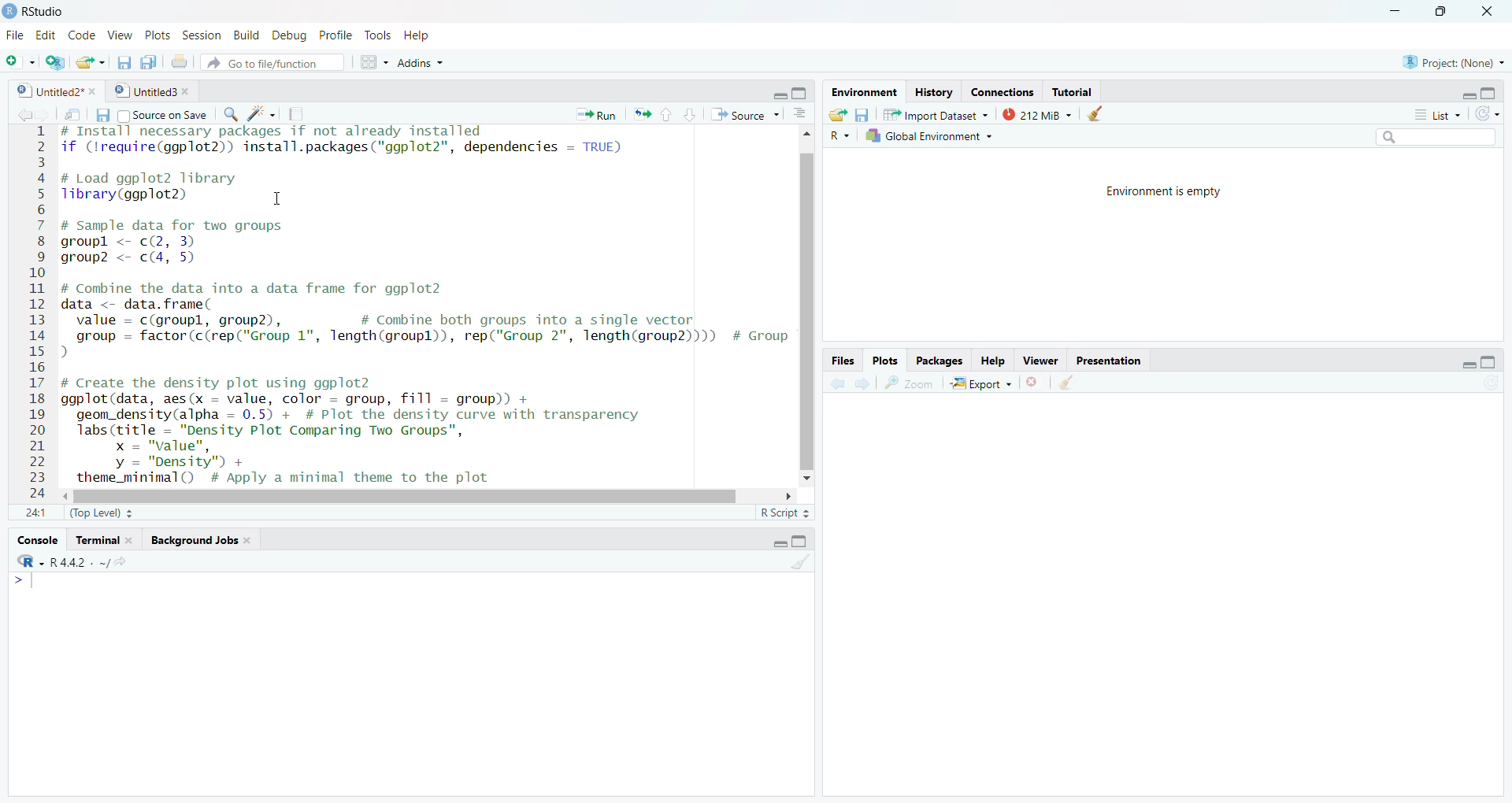  Describe the element at coordinates (102, 515) in the screenshot. I see `top level` at that location.